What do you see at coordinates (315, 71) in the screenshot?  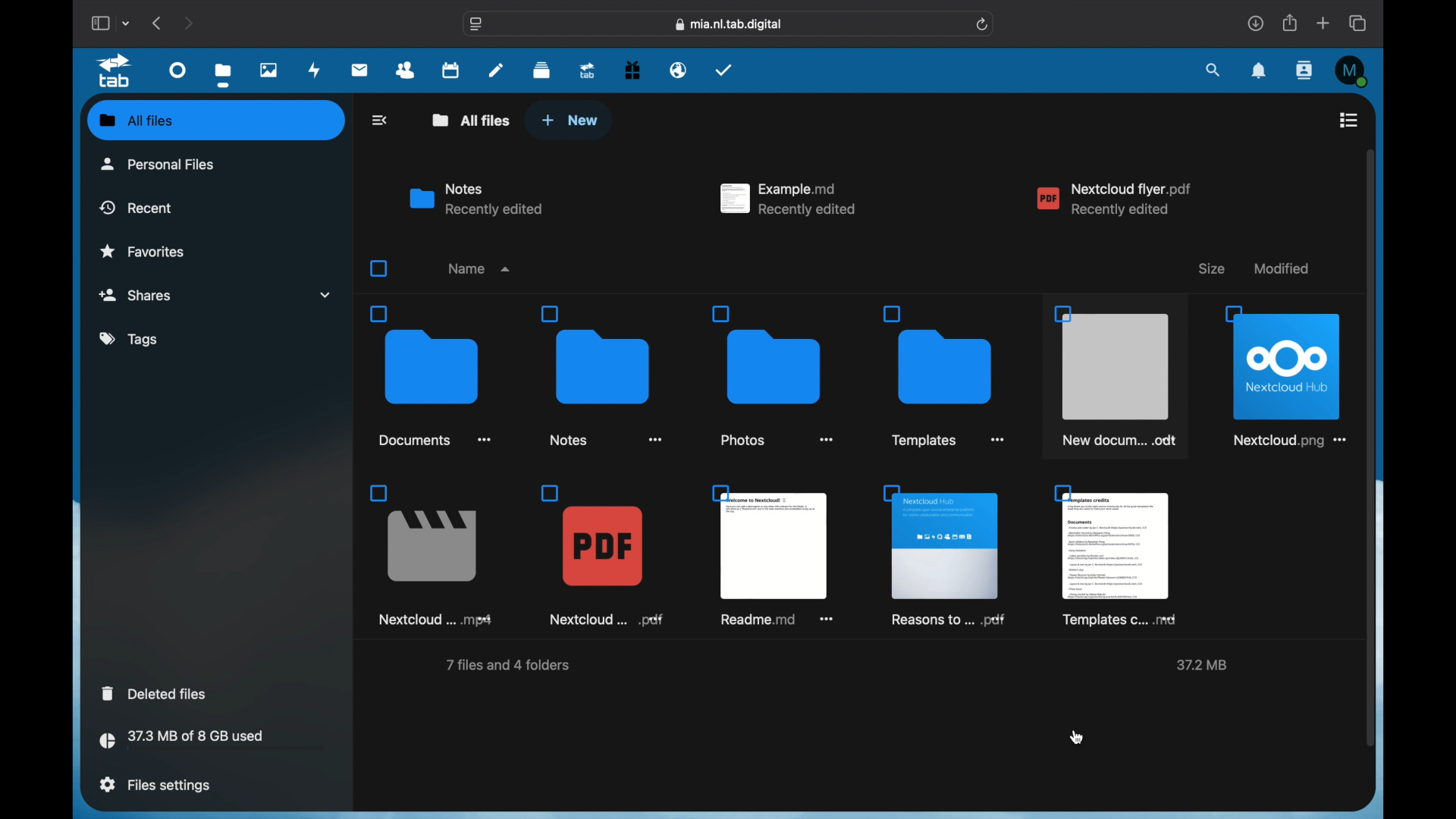 I see `activity` at bounding box center [315, 71].